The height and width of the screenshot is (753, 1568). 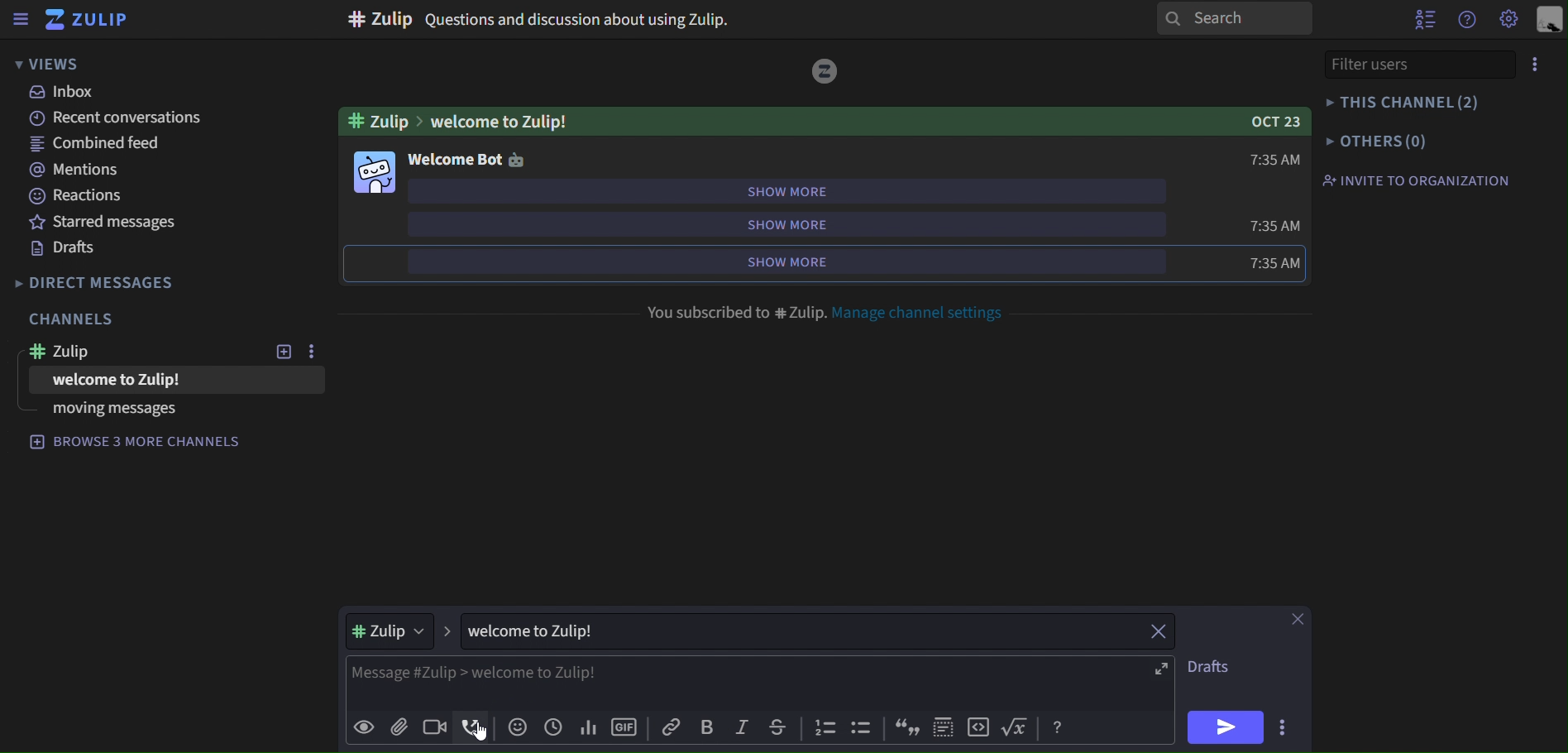 I want to click on reactions, so click(x=83, y=199).